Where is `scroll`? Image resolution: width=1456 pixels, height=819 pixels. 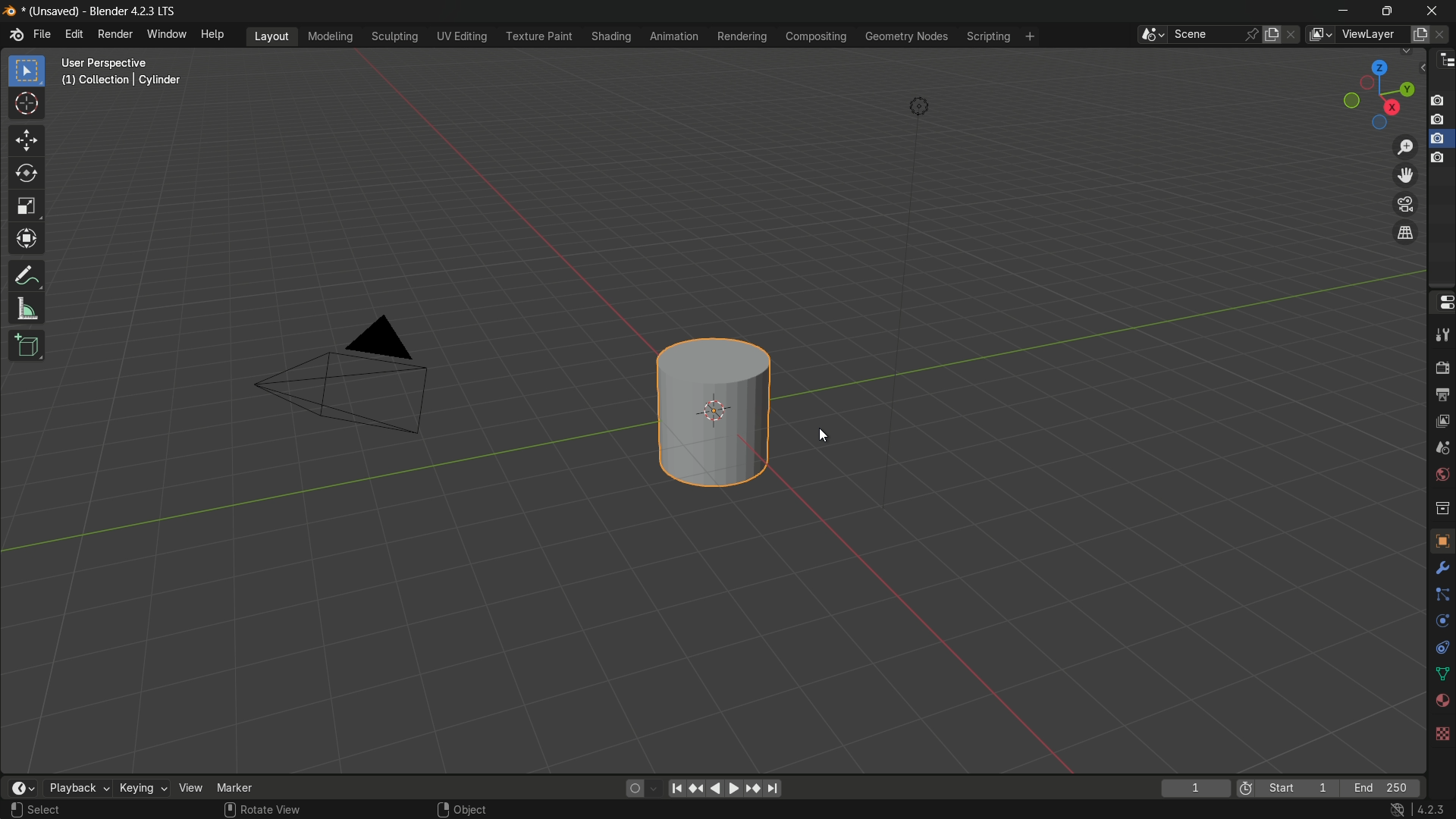
scroll is located at coordinates (229, 810).